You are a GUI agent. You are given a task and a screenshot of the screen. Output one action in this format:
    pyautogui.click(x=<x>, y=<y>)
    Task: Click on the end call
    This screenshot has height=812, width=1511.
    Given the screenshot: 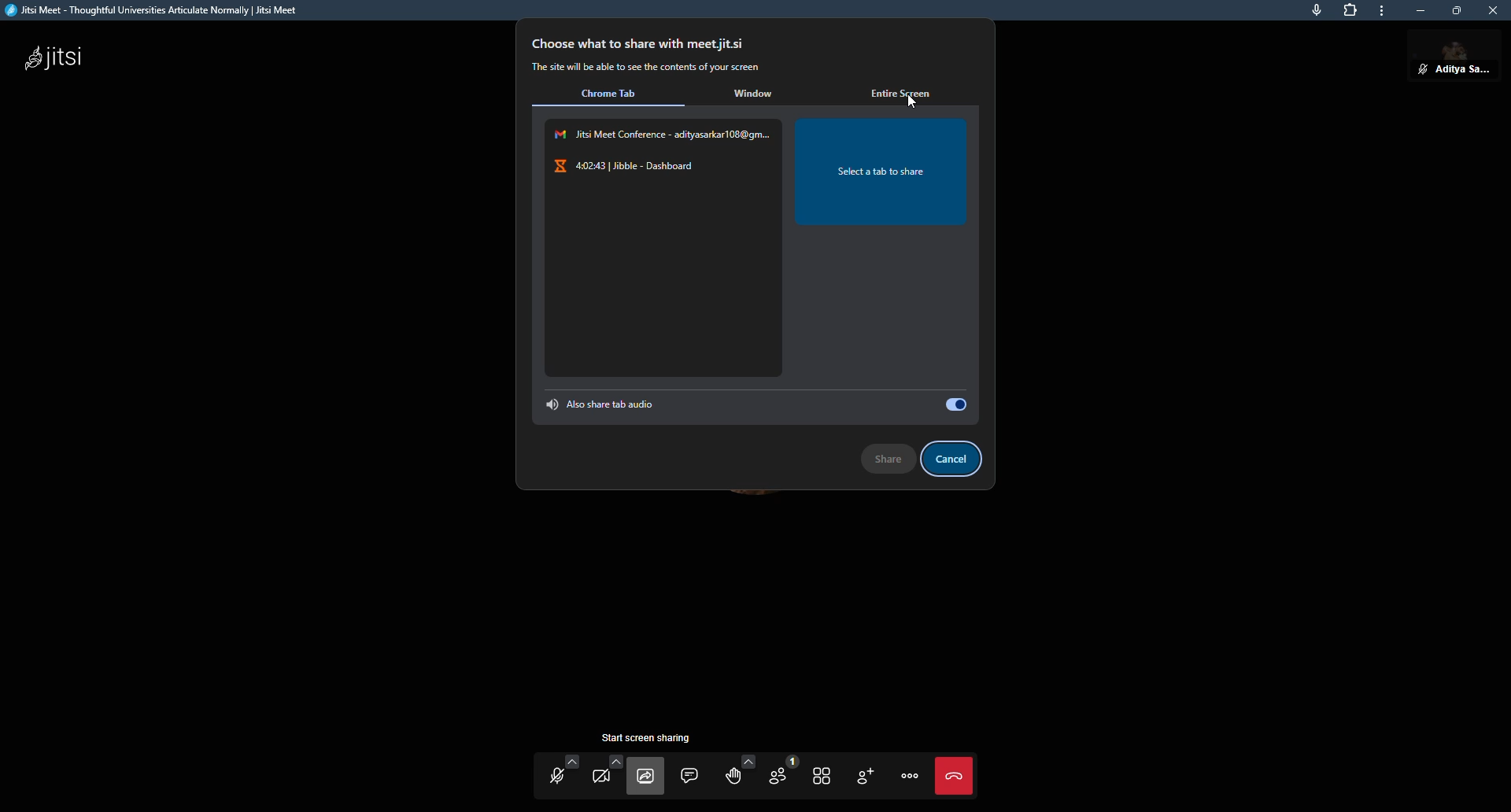 What is the action you would take?
    pyautogui.click(x=958, y=776)
    